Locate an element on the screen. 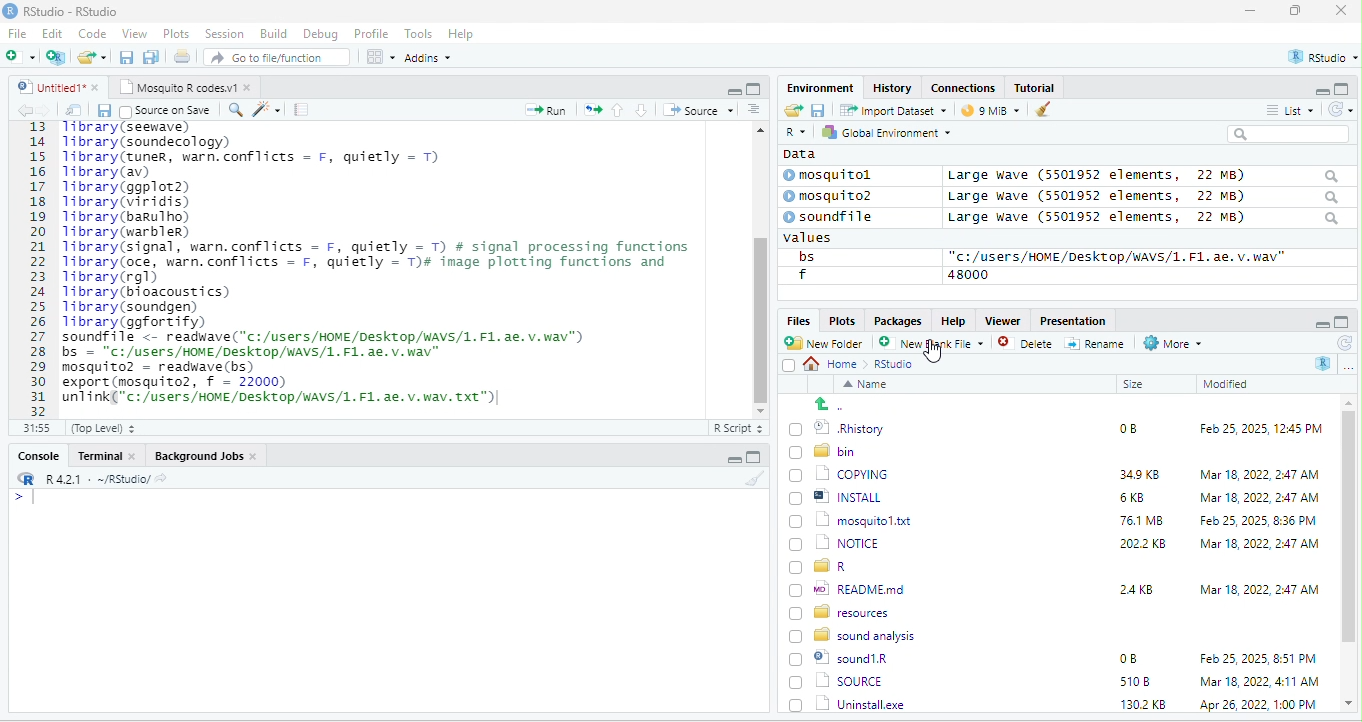  Profile is located at coordinates (371, 34).